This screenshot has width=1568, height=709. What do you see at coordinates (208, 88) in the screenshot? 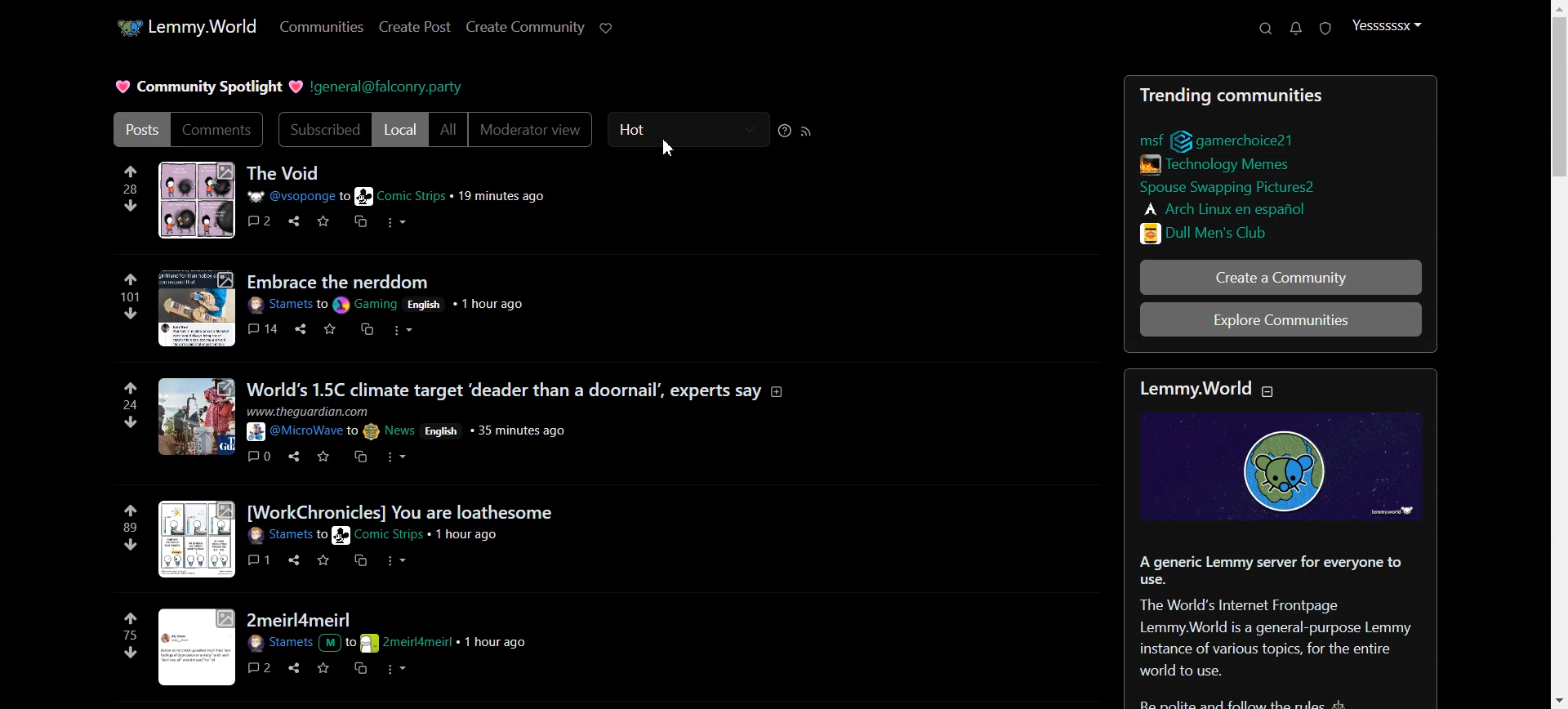
I see `Text` at bounding box center [208, 88].